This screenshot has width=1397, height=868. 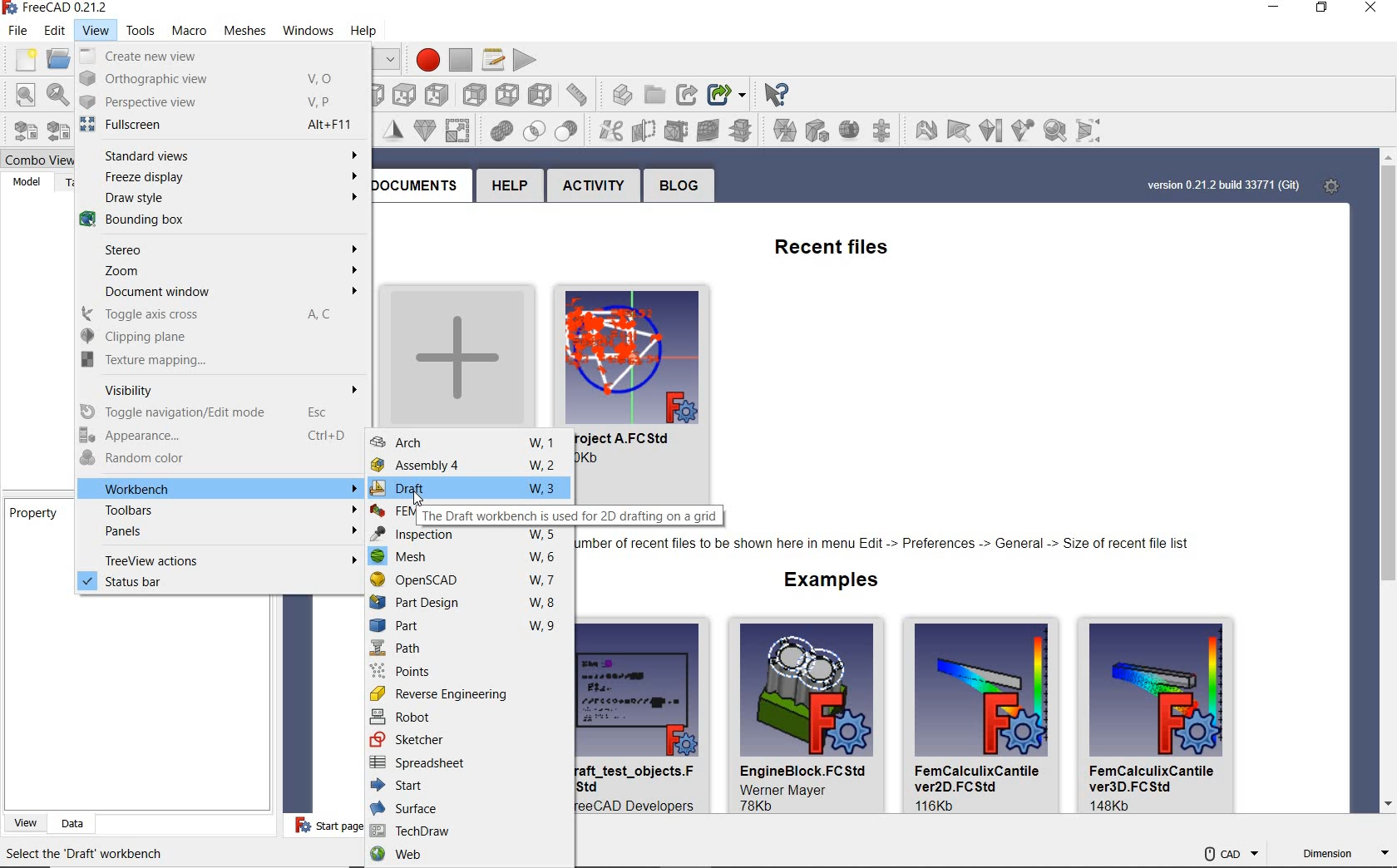 I want to click on option, so click(x=924, y=130).